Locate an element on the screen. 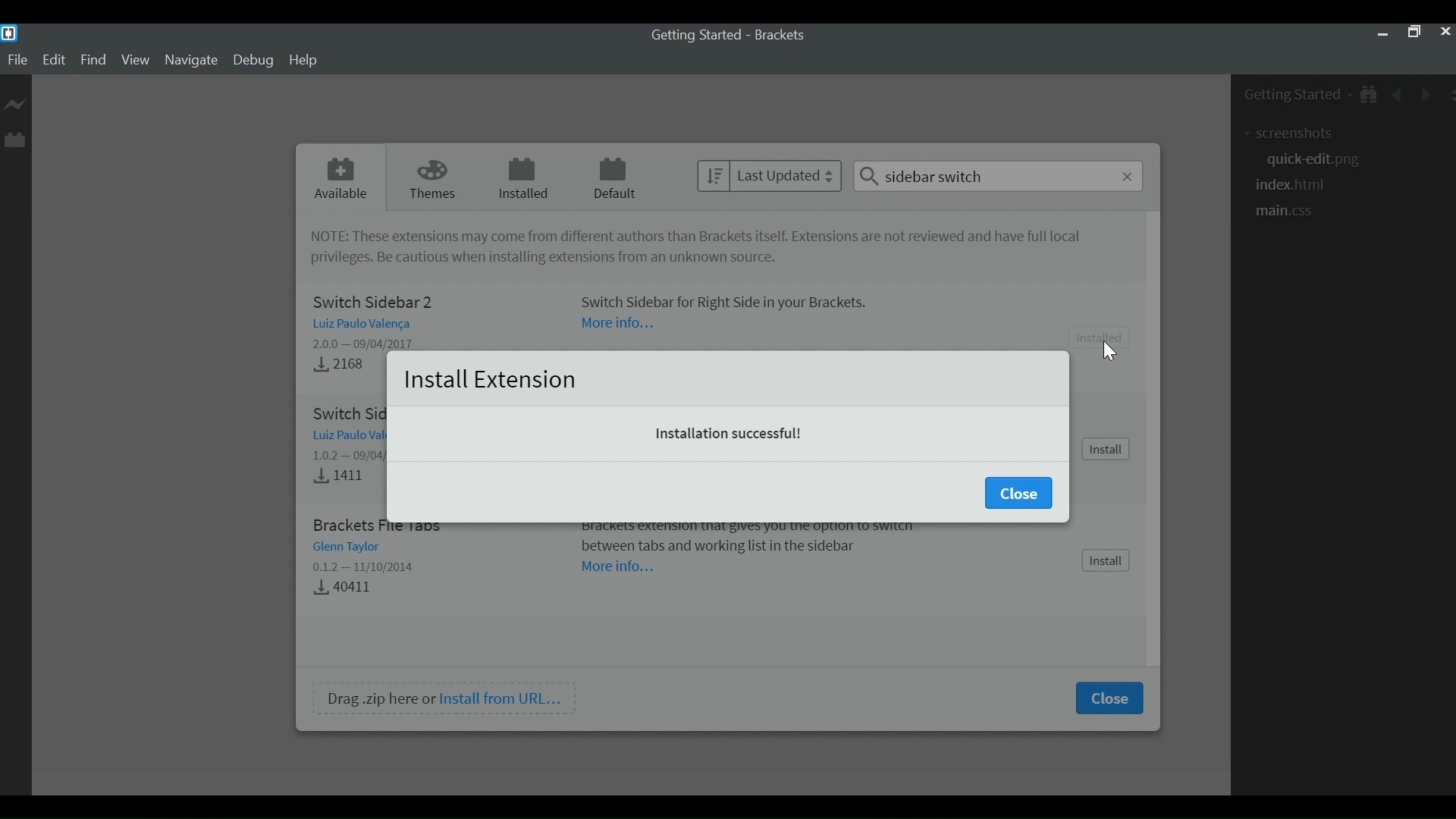 The image size is (1456, 819). Restore is located at coordinates (1414, 33).